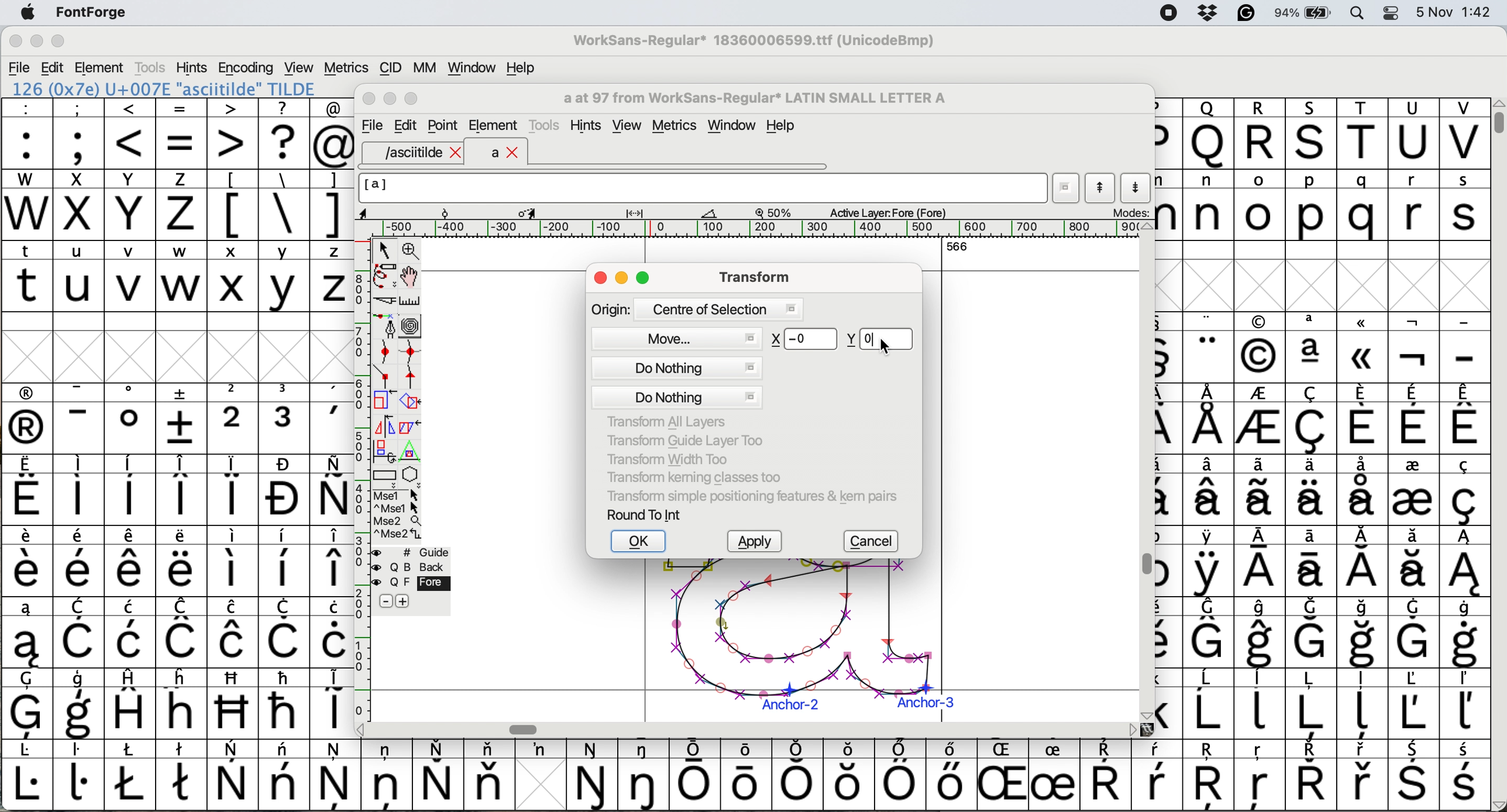 The image size is (1507, 812). I want to click on Y, so click(132, 205).